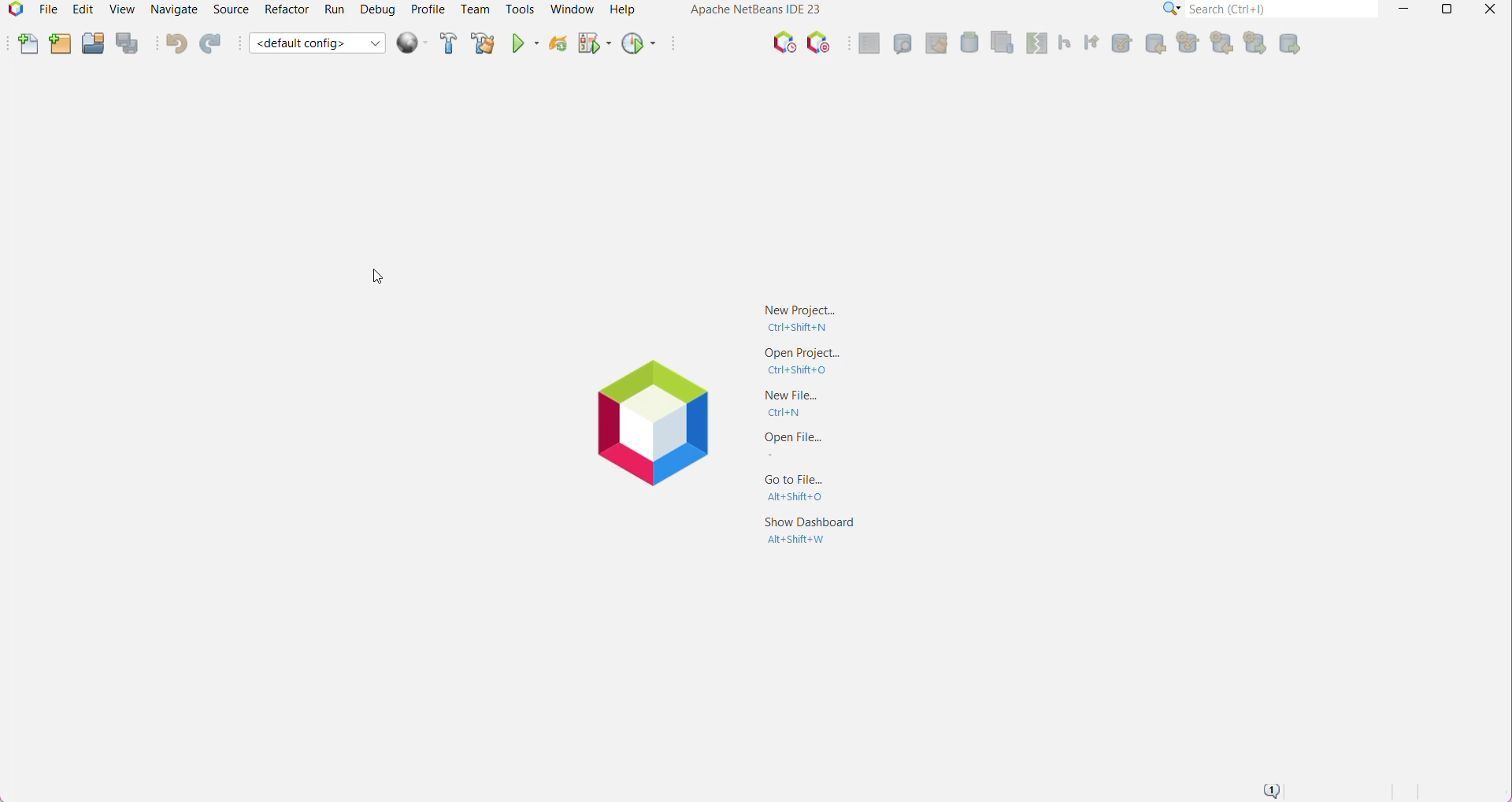 Image resolution: width=1512 pixels, height=802 pixels. What do you see at coordinates (28, 44) in the screenshot?
I see `New File` at bounding box center [28, 44].